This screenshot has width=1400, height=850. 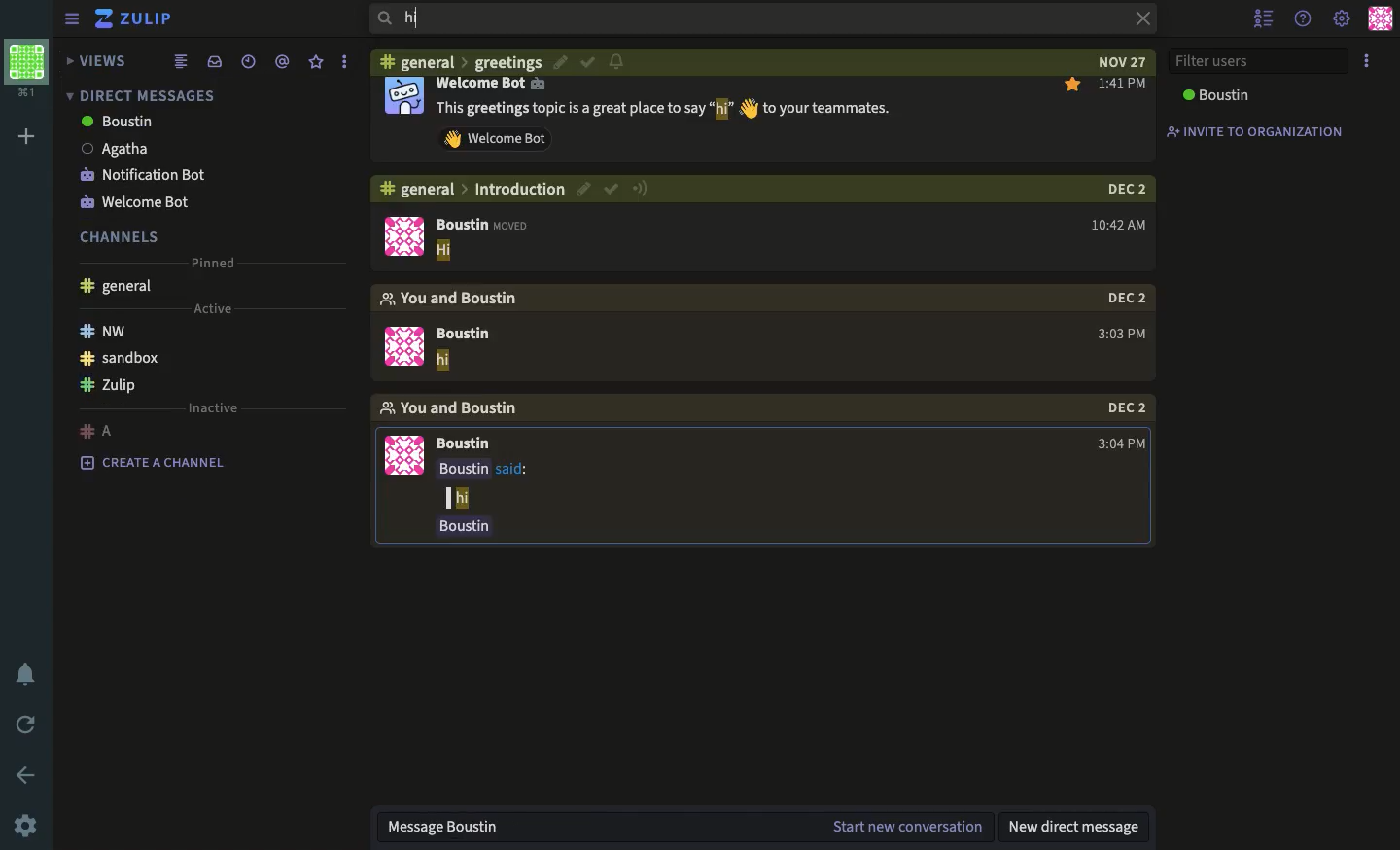 What do you see at coordinates (666, 108) in the screenshot?
I see `This greetings topic is a great place to say "hi" to your teammates` at bounding box center [666, 108].